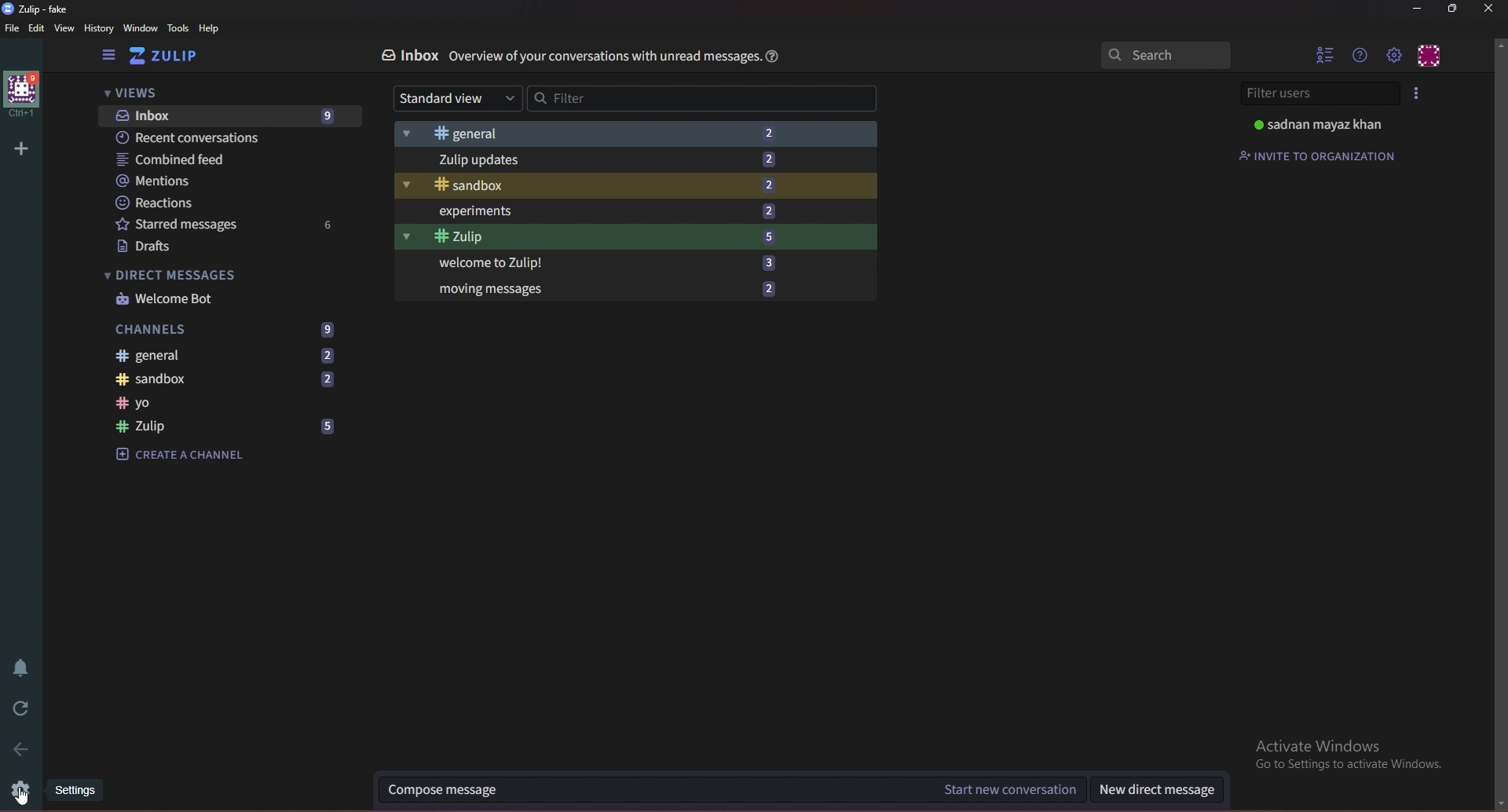 This screenshot has height=812, width=1508. I want to click on Settings, so click(22, 790).